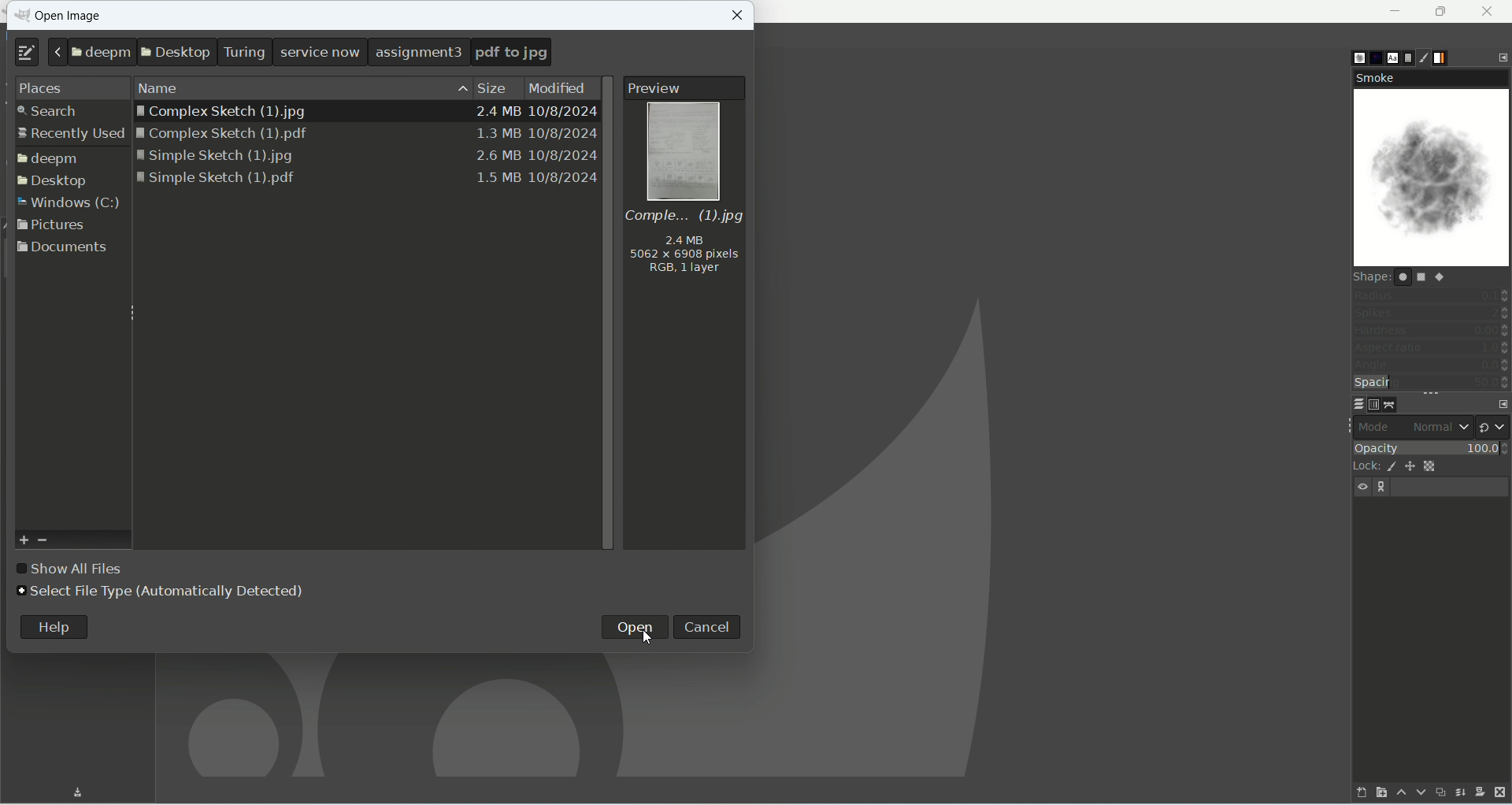  Describe the element at coordinates (511, 53) in the screenshot. I see `pdf to png` at that location.